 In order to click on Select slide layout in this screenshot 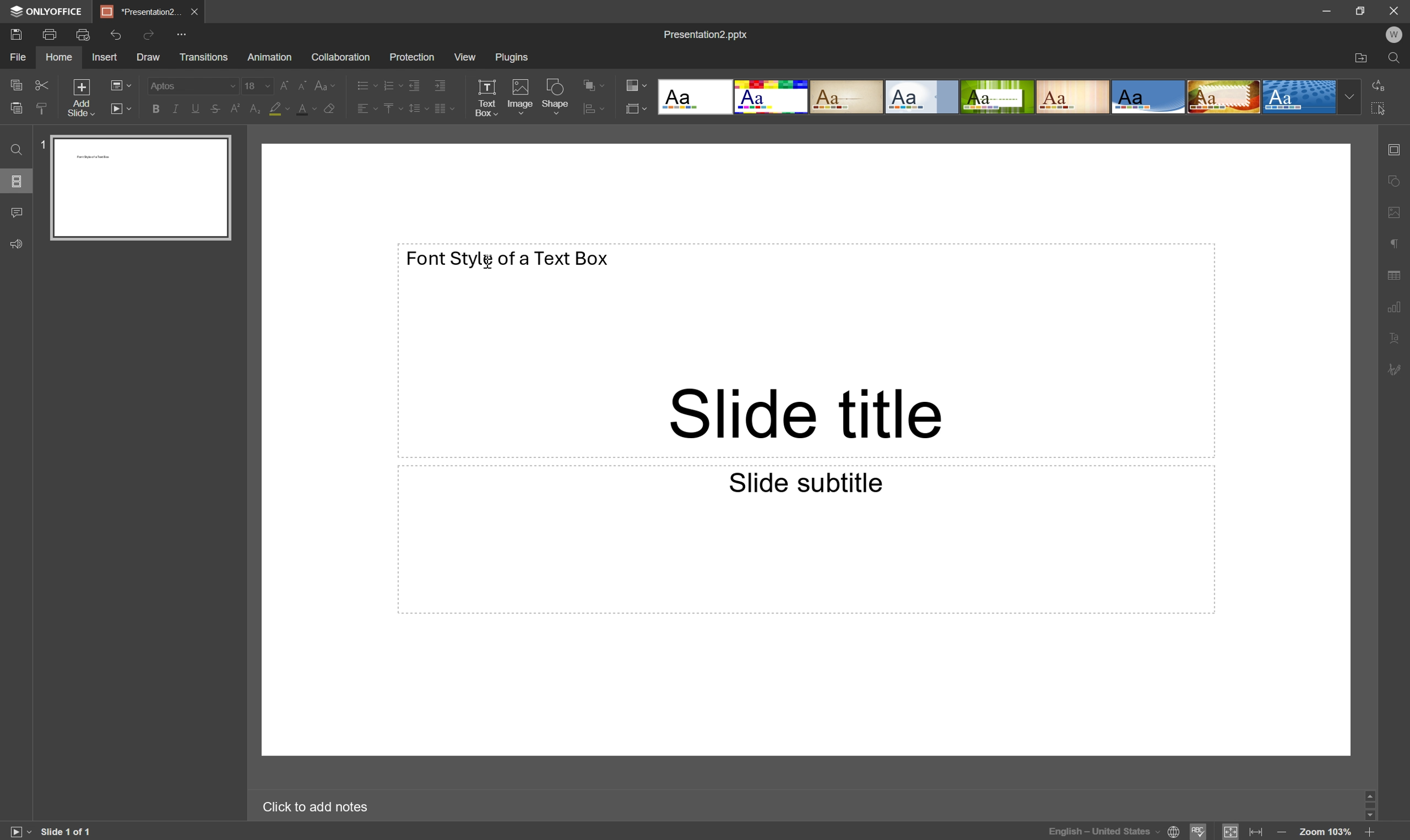, I will do `click(120, 84)`.